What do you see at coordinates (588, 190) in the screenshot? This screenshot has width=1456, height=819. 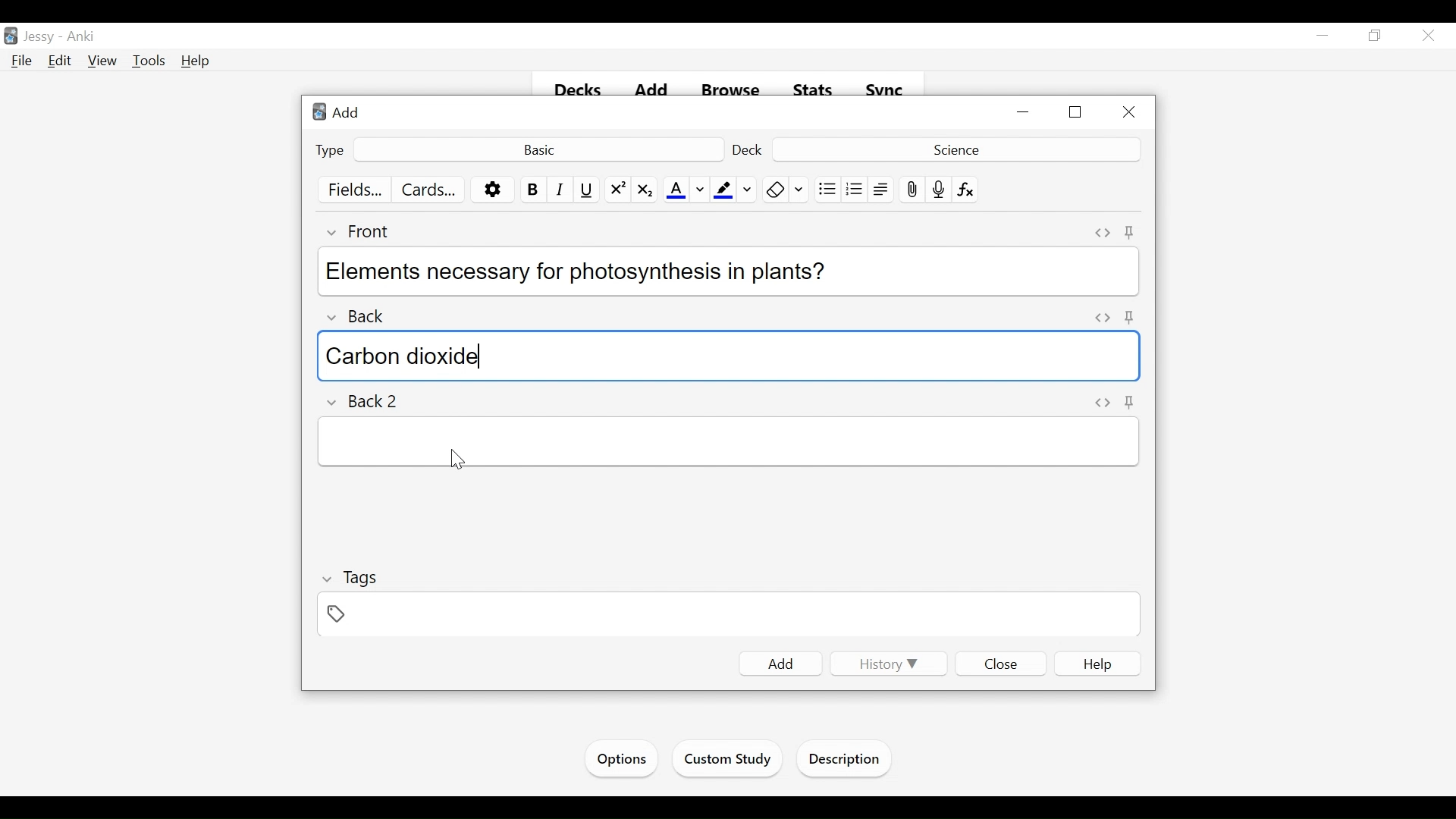 I see `Underline` at bounding box center [588, 190].